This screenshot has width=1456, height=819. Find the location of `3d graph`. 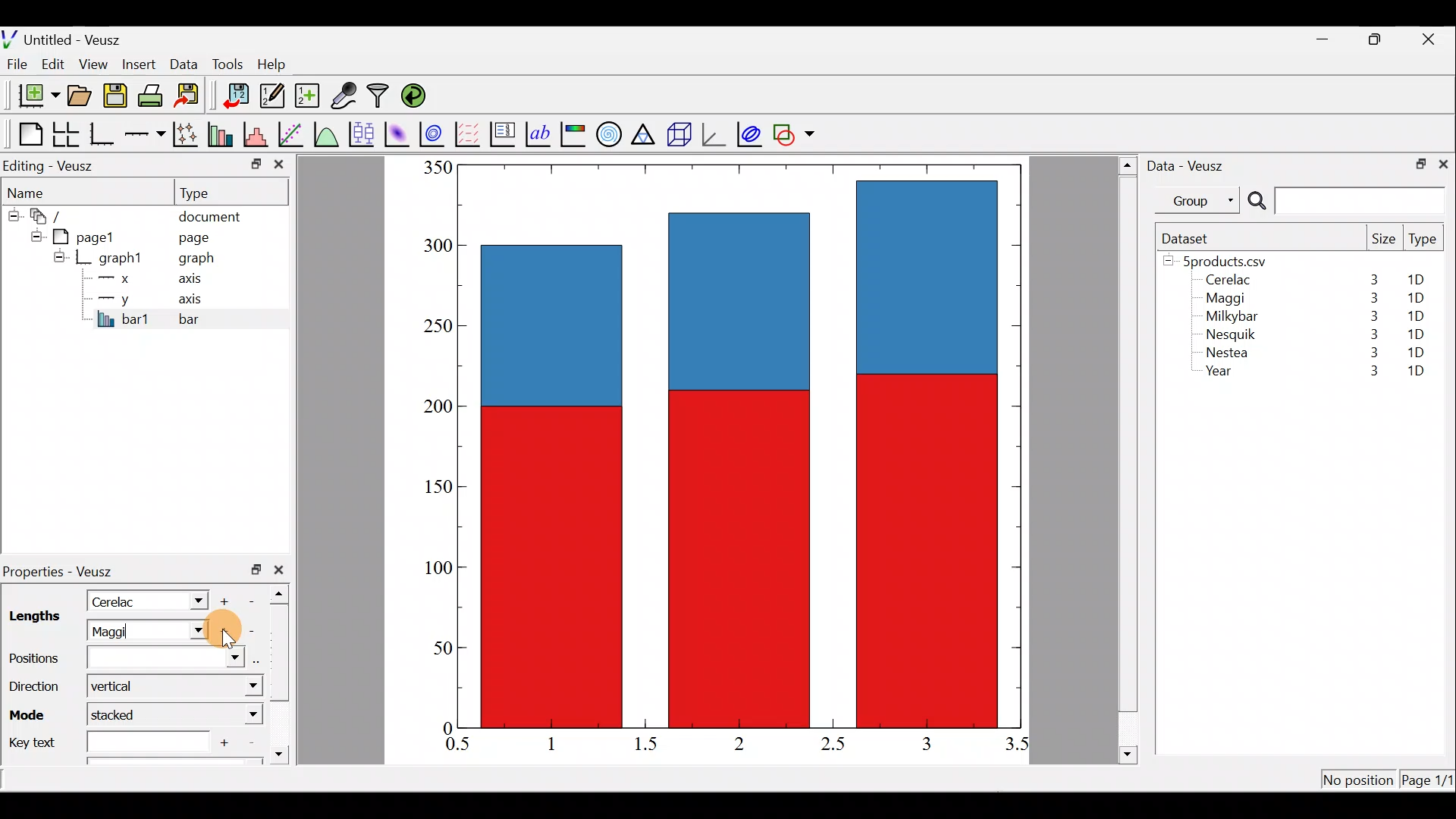

3d graph is located at coordinates (714, 133).